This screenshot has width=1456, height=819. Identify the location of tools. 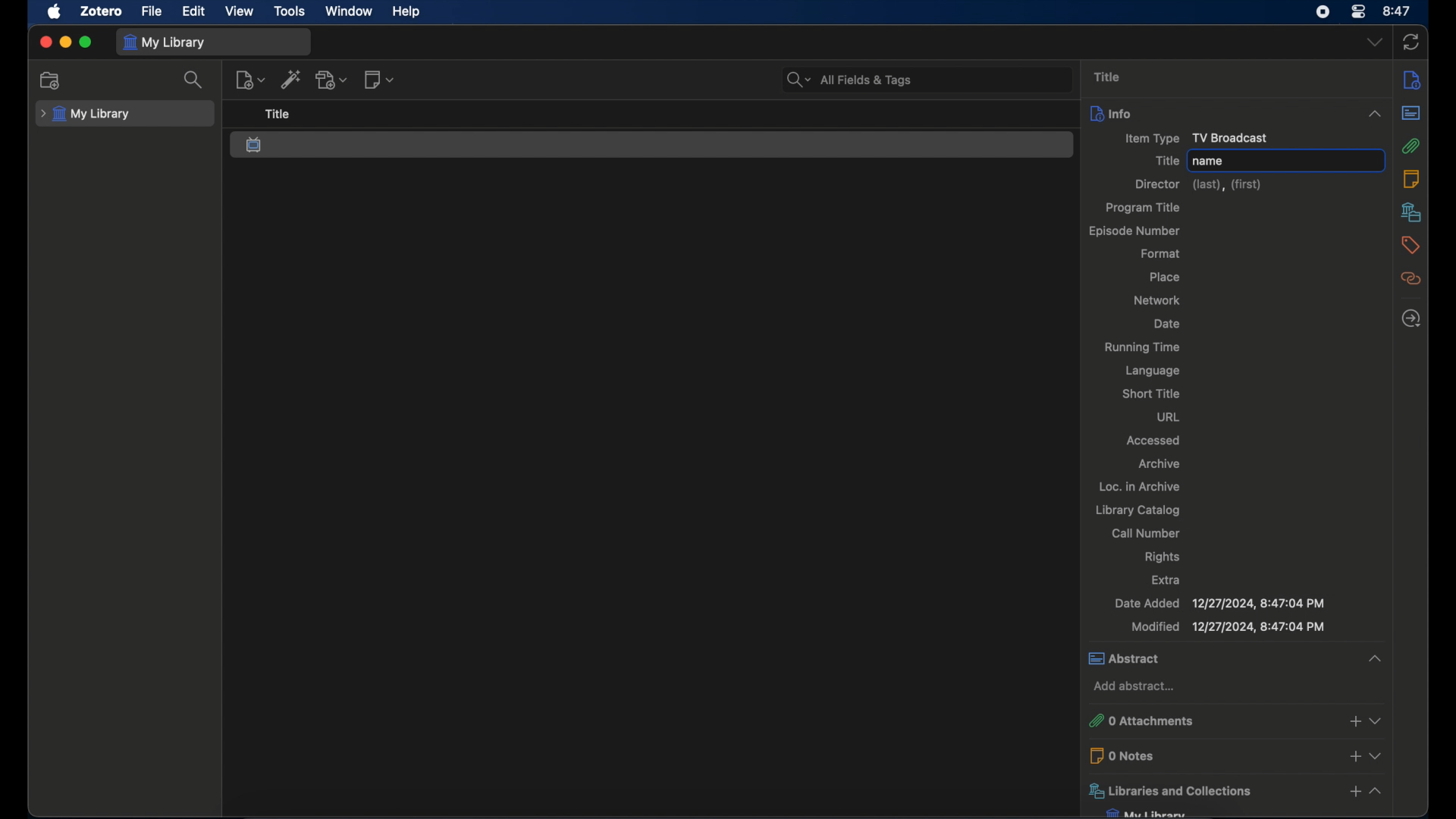
(290, 11).